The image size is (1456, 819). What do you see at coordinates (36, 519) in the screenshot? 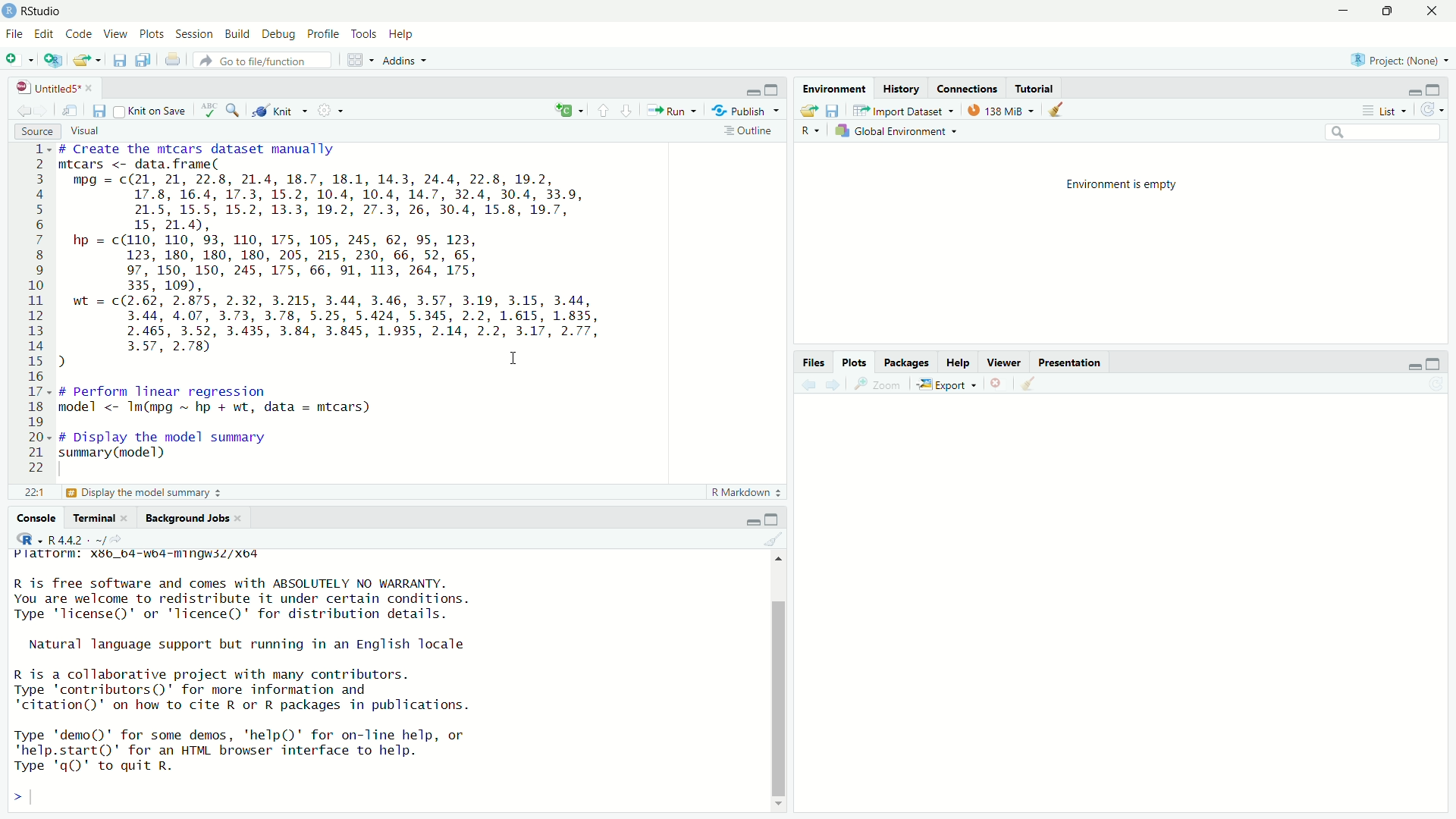
I see `Console` at bounding box center [36, 519].